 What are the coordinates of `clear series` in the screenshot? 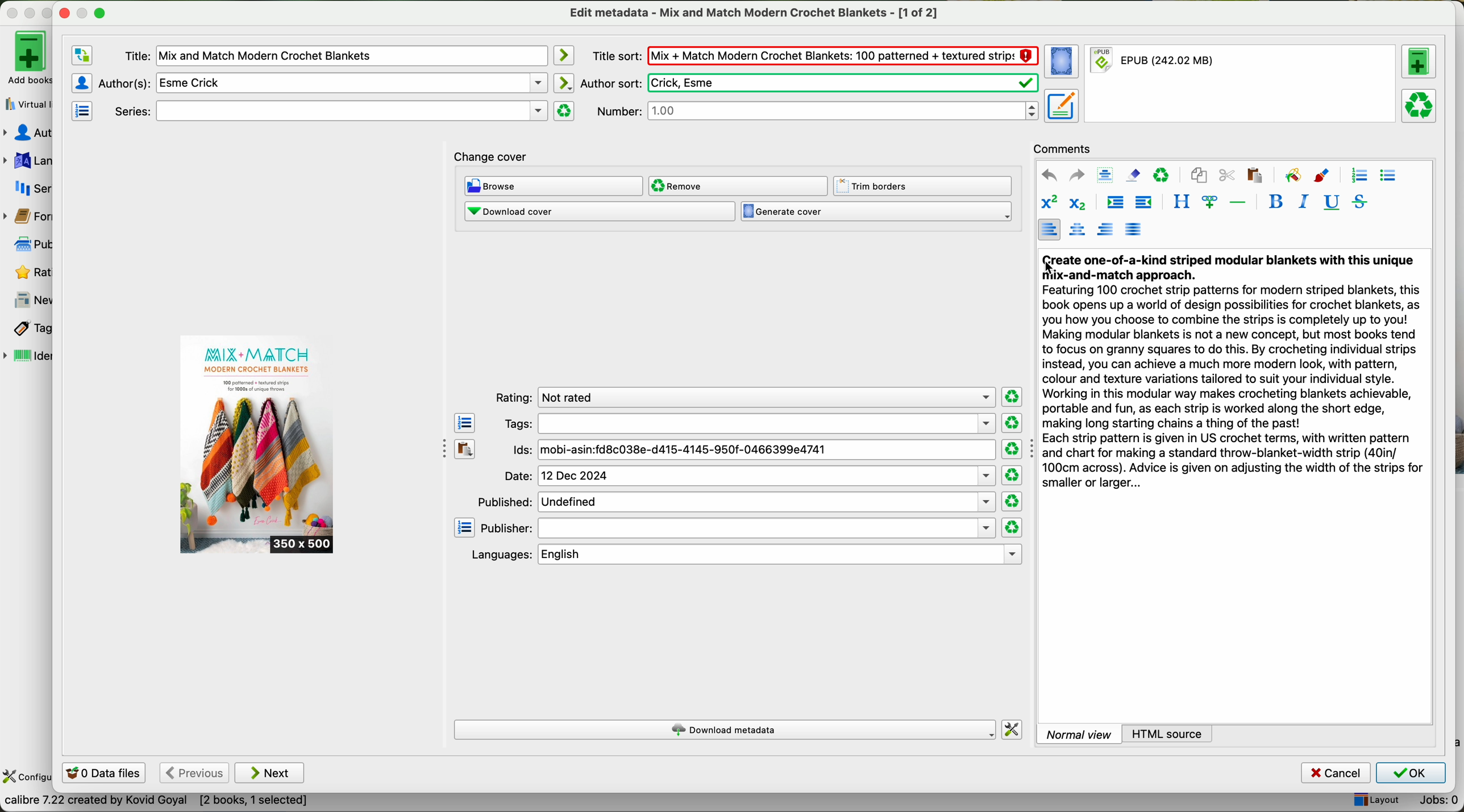 It's located at (564, 111).